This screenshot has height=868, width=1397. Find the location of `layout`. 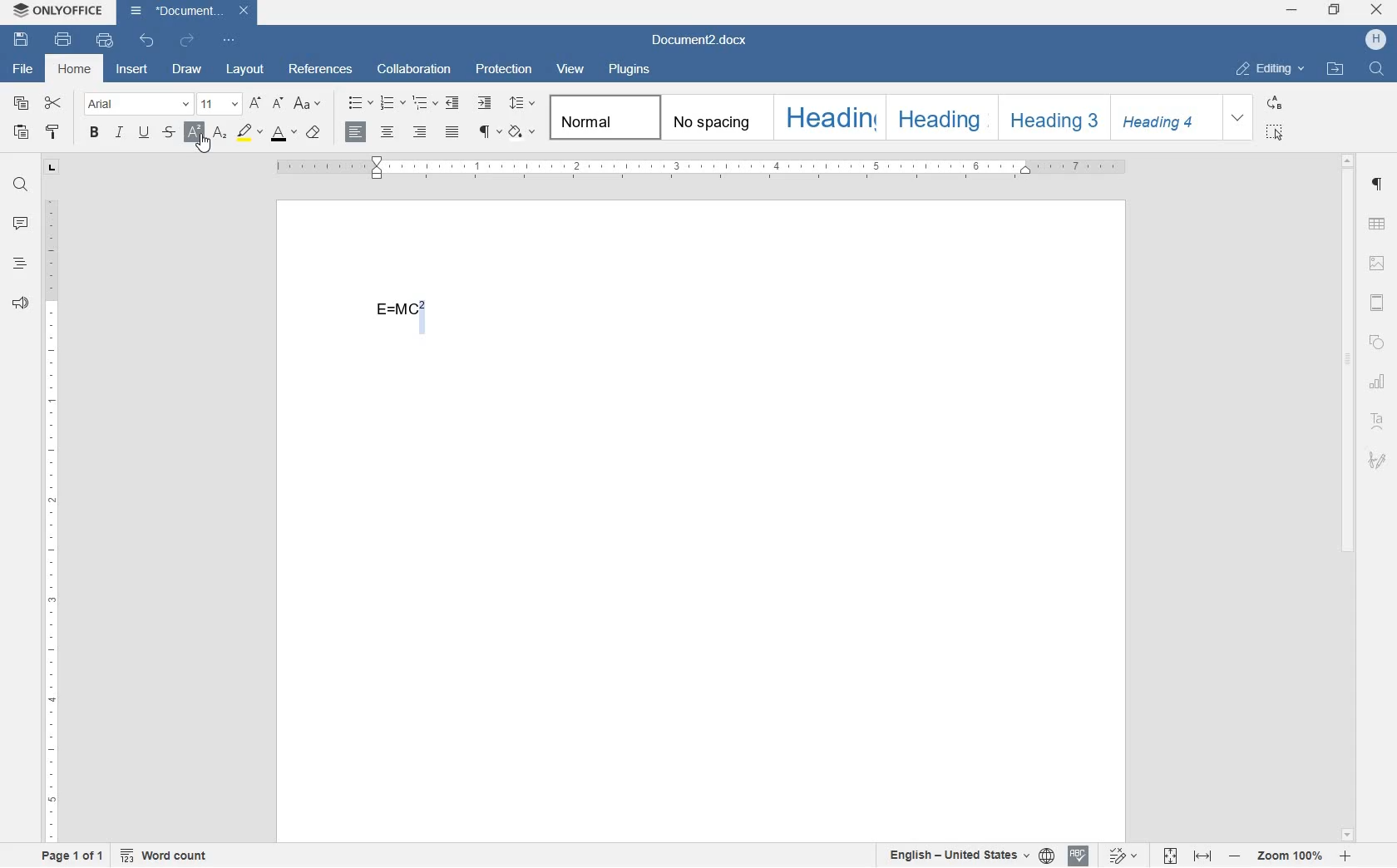

layout is located at coordinates (244, 71).